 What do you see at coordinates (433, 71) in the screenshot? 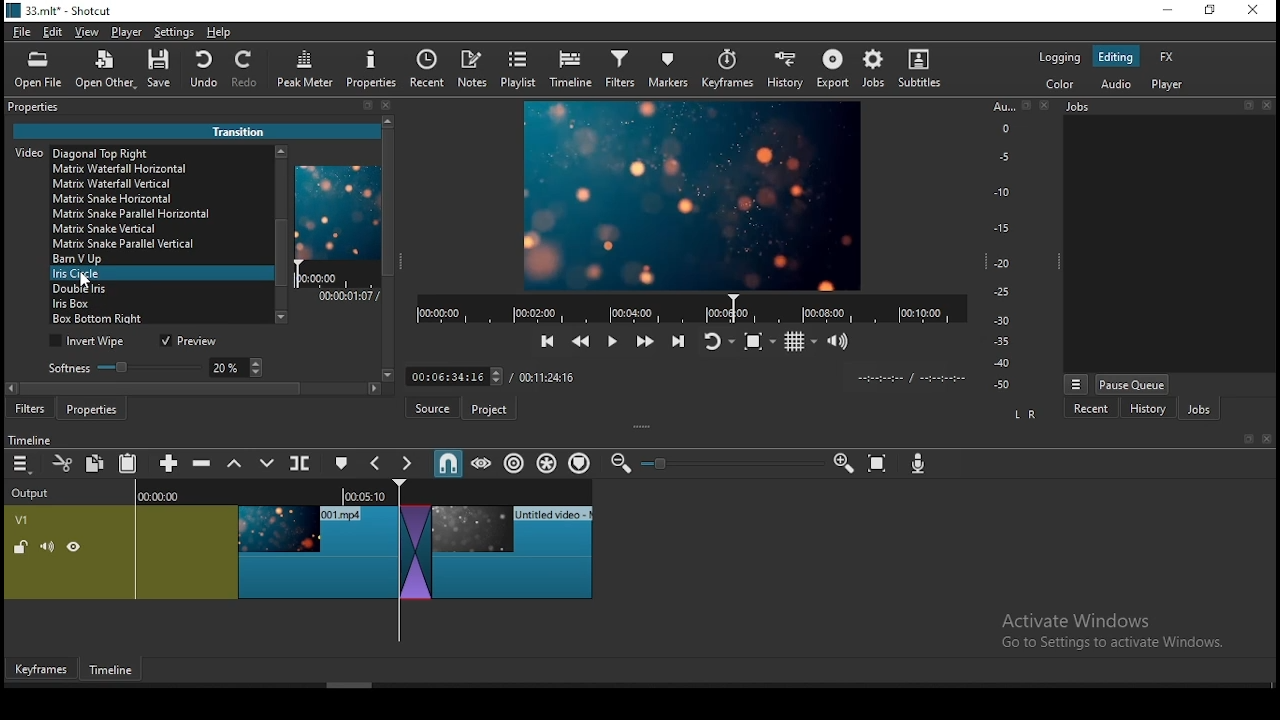
I see `split at playhead` at bounding box center [433, 71].